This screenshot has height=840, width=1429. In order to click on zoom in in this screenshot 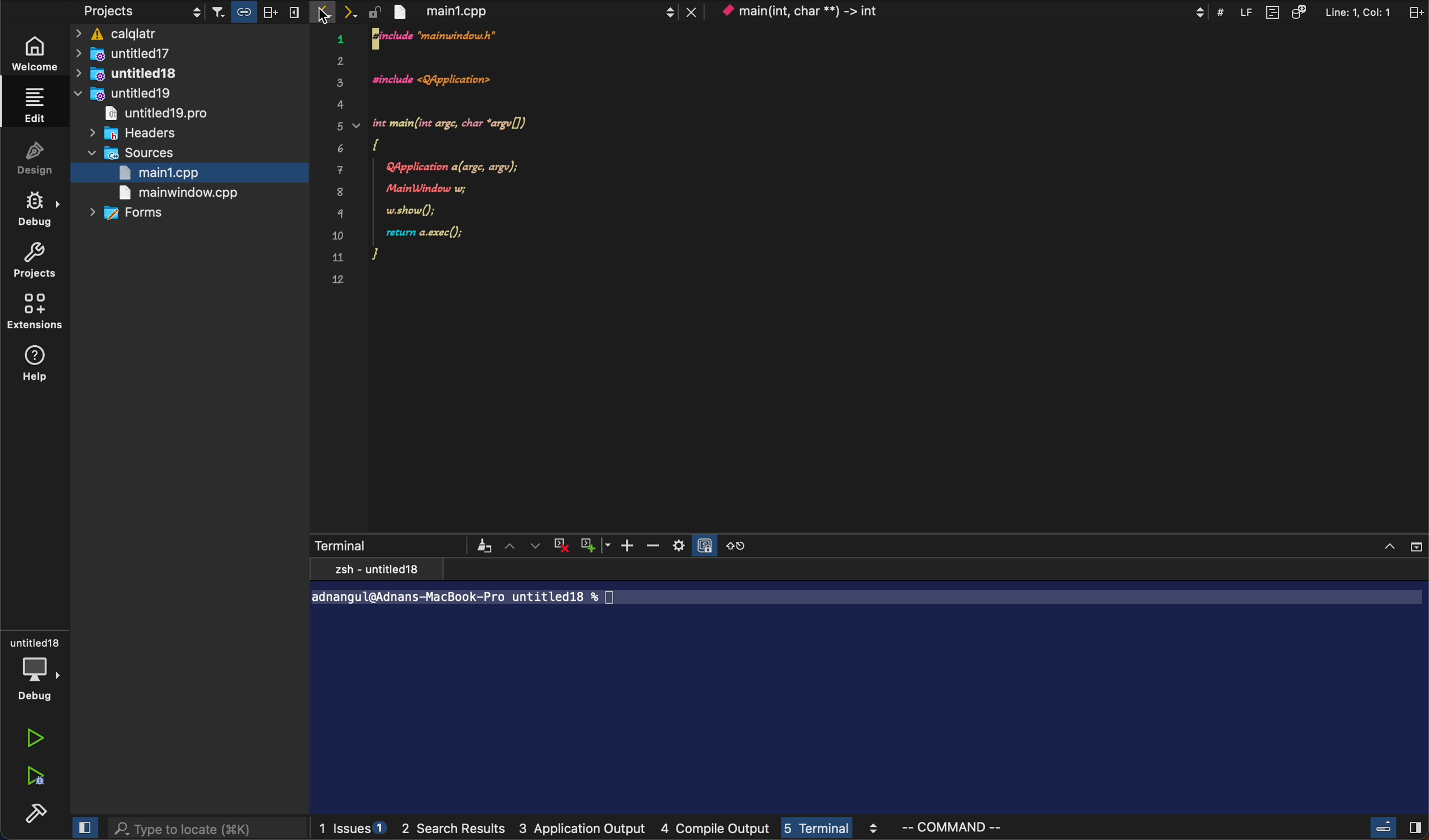, I will do `click(631, 545)`.